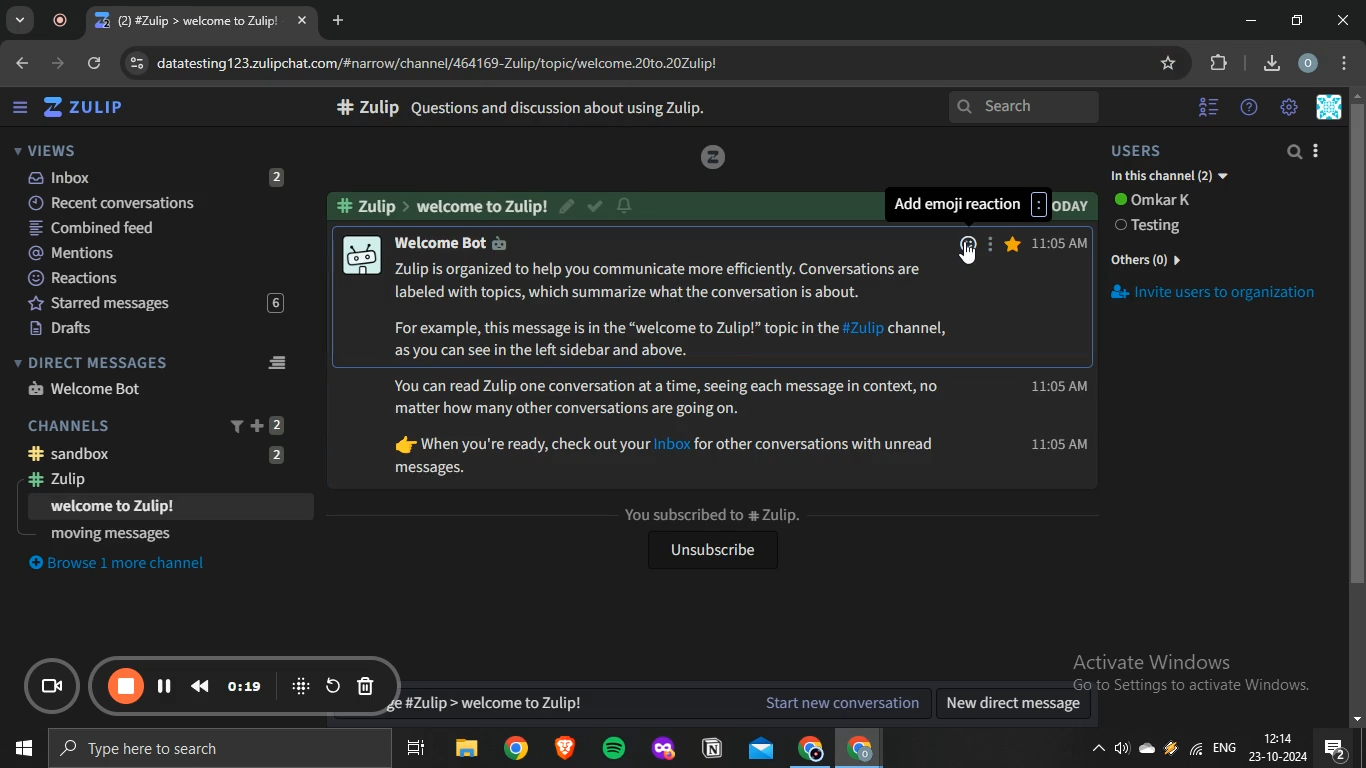  What do you see at coordinates (1153, 227) in the screenshot?
I see `testing` at bounding box center [1153, 227].